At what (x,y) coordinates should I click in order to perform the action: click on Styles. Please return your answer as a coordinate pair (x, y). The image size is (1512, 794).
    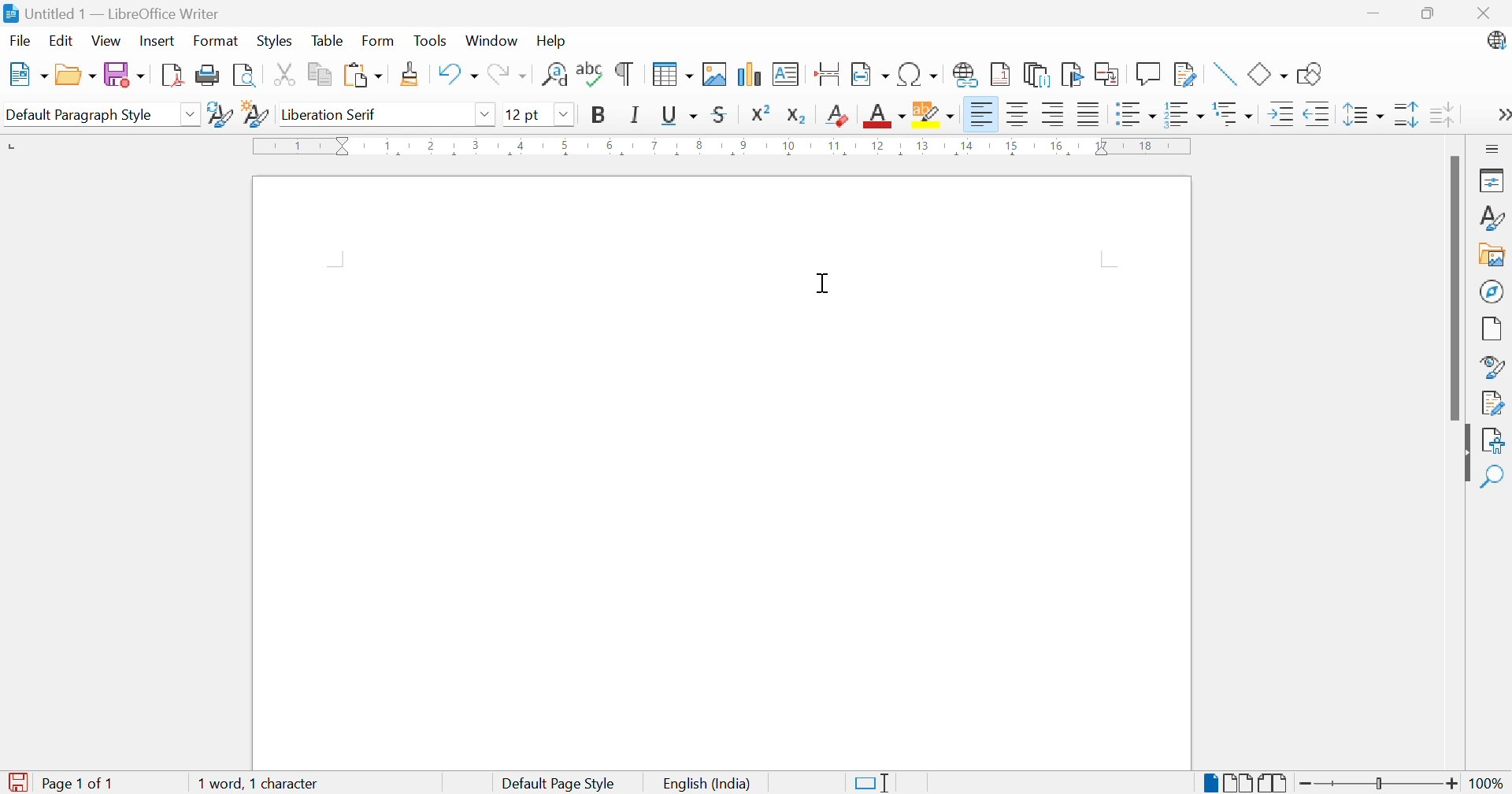
    Looking at the image, I should click on (1495, 220).